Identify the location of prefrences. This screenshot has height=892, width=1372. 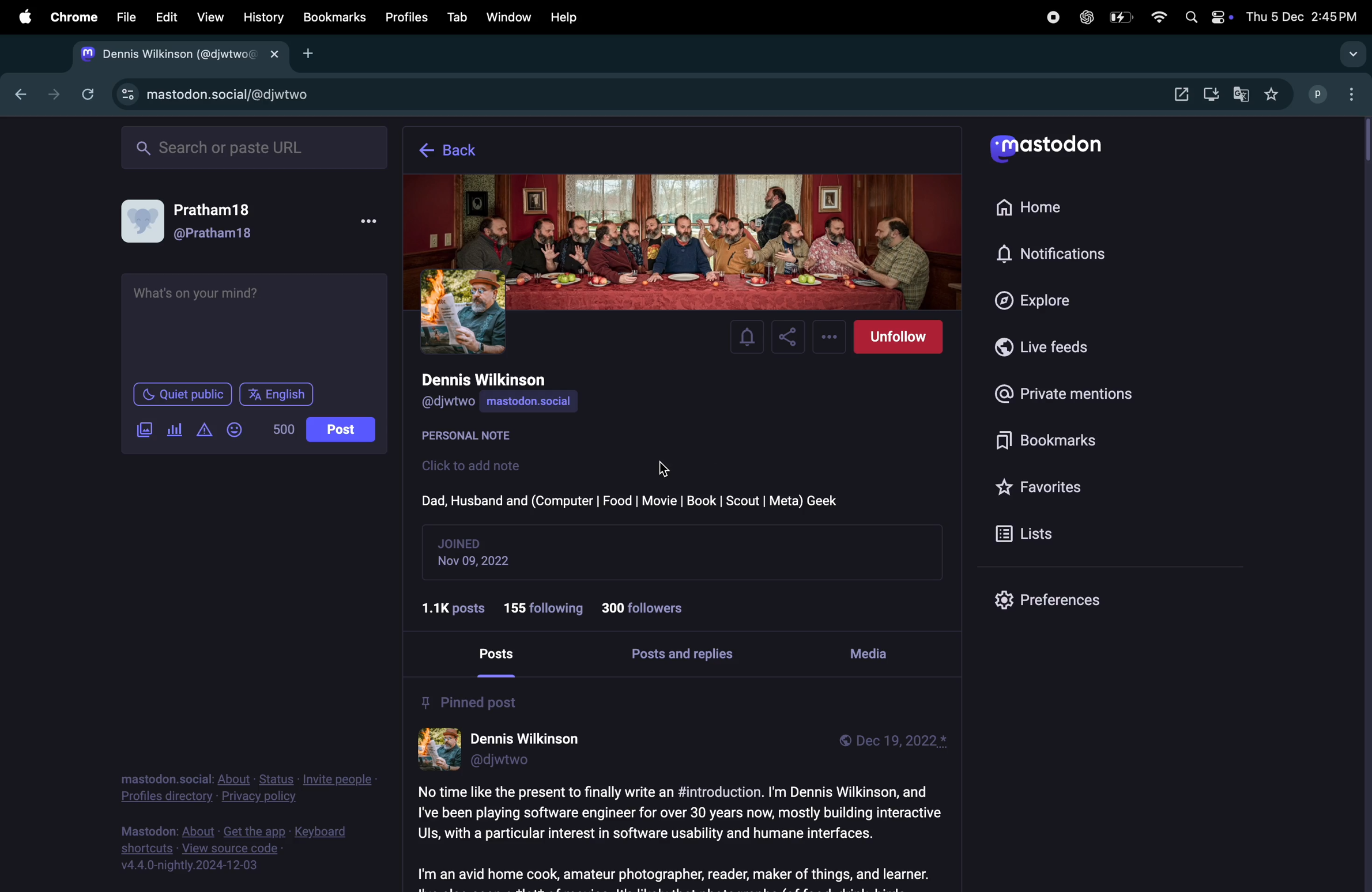
(1049, 602).